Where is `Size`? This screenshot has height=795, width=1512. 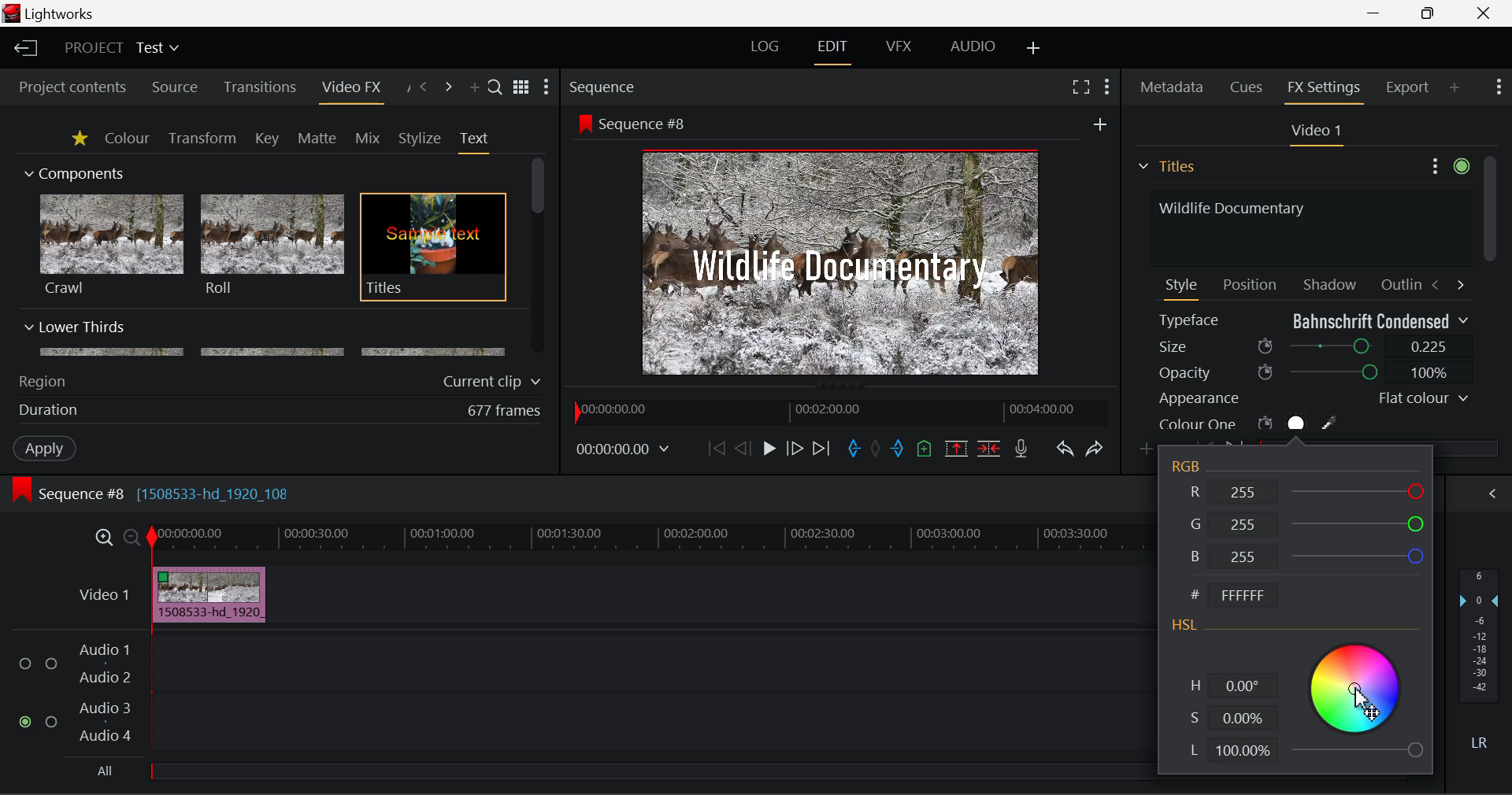
Size is located at coordinates (1315, 345).